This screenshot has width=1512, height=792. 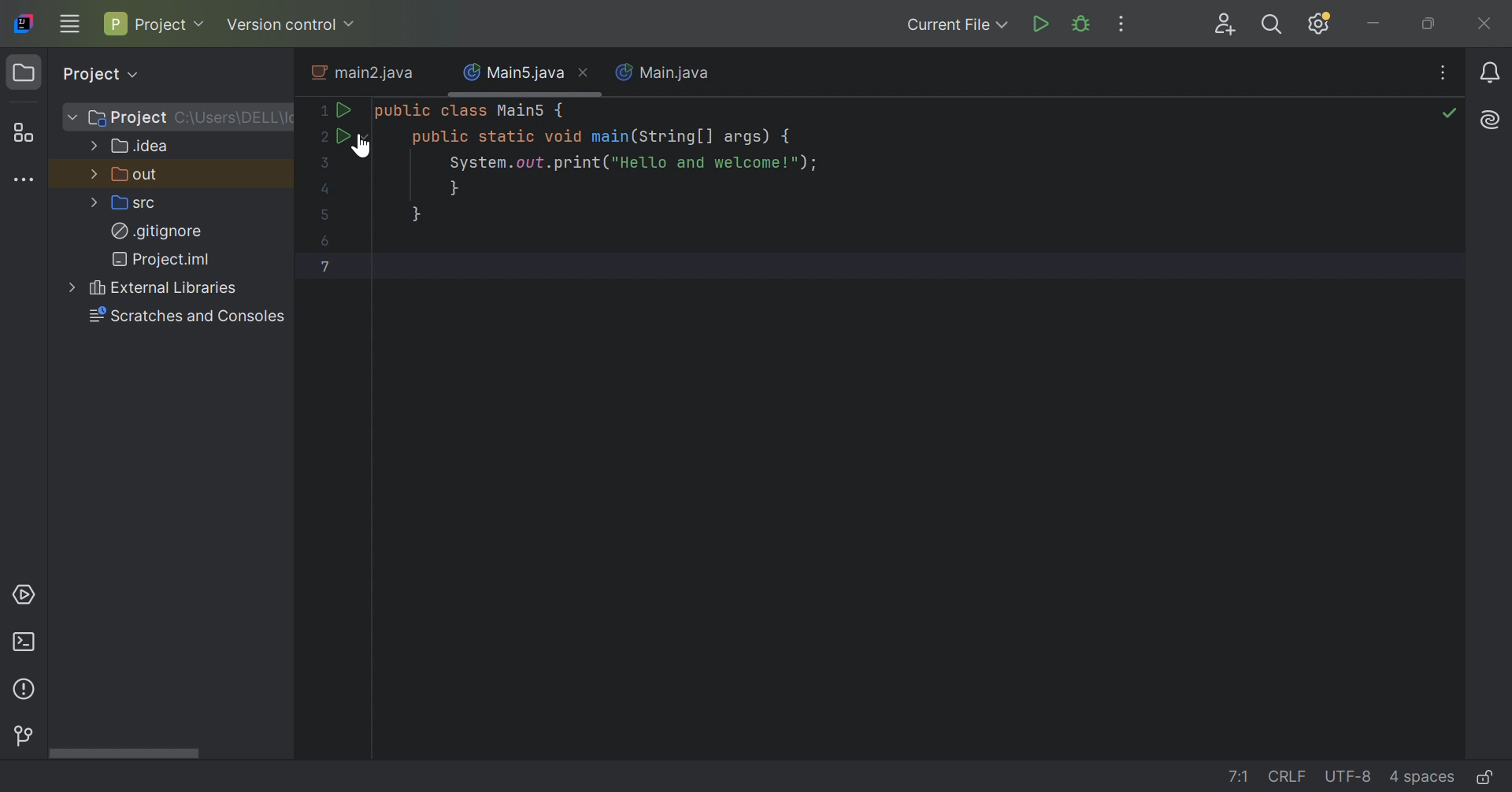 I want to click on 7, so click(x=324, y=266).